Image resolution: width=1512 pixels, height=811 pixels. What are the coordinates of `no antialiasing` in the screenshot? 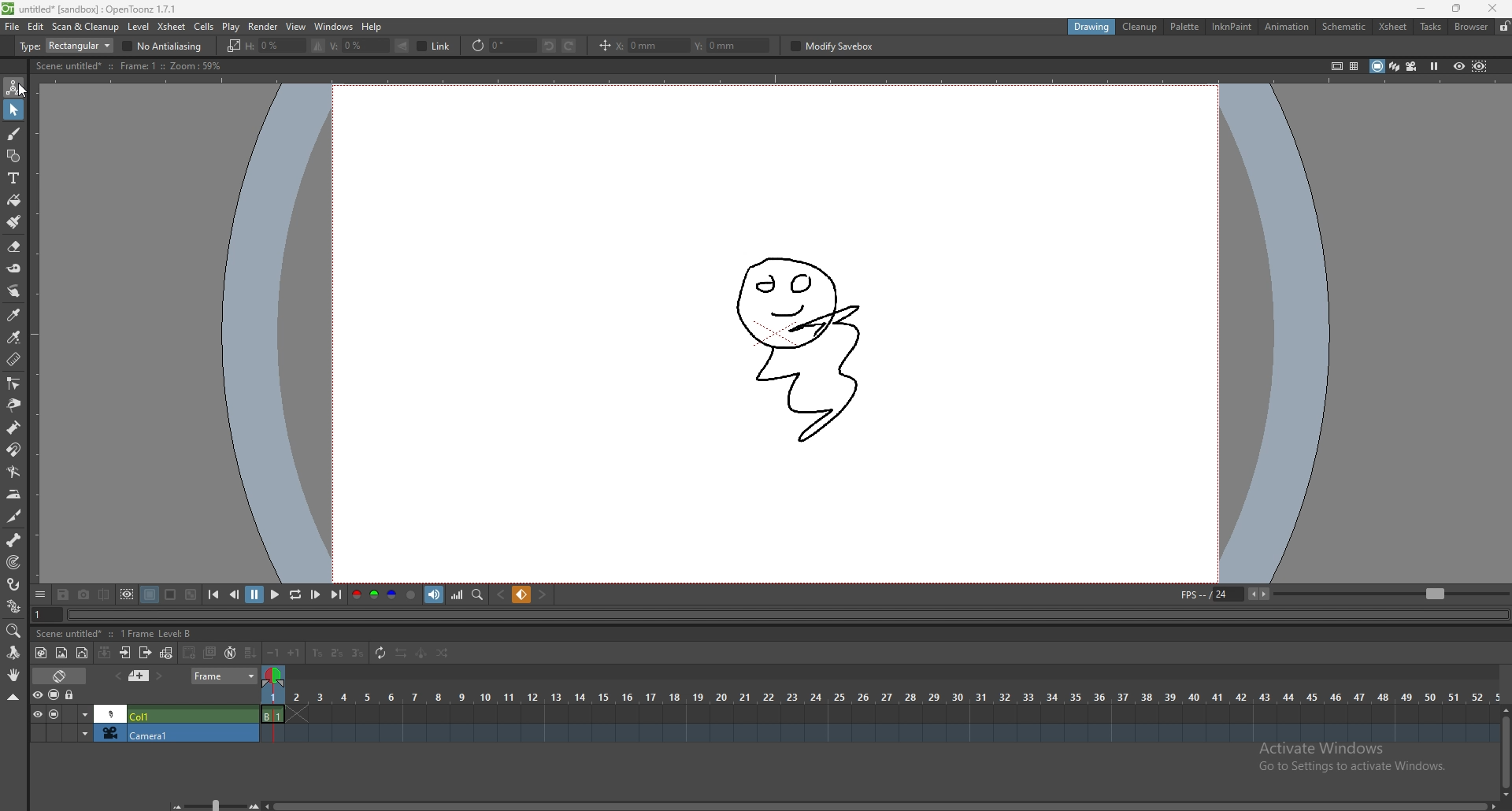 It's located at (162, 46).